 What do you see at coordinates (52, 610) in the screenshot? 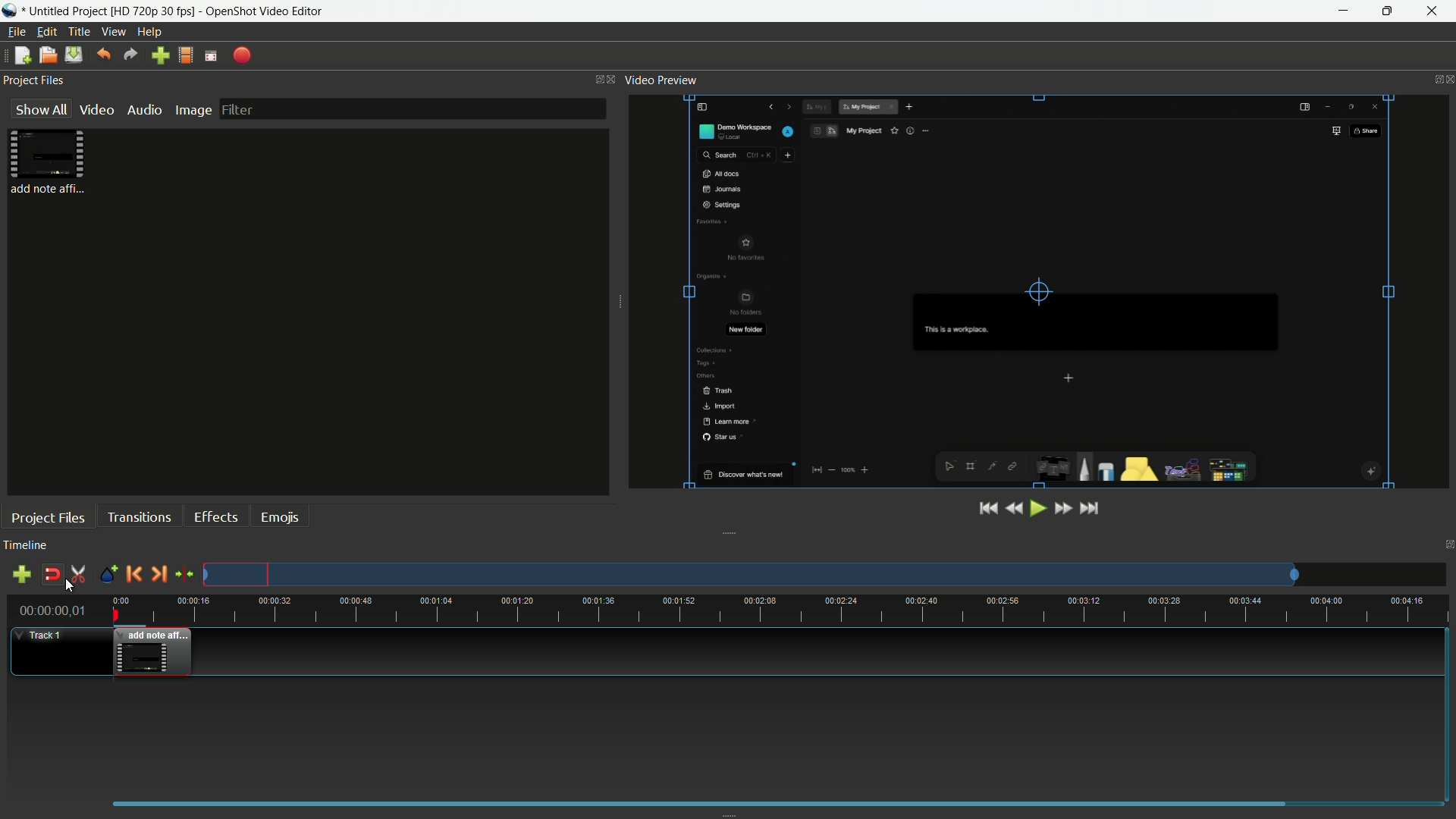
I see `00:00:00 01` at bounding box center [52, 610].